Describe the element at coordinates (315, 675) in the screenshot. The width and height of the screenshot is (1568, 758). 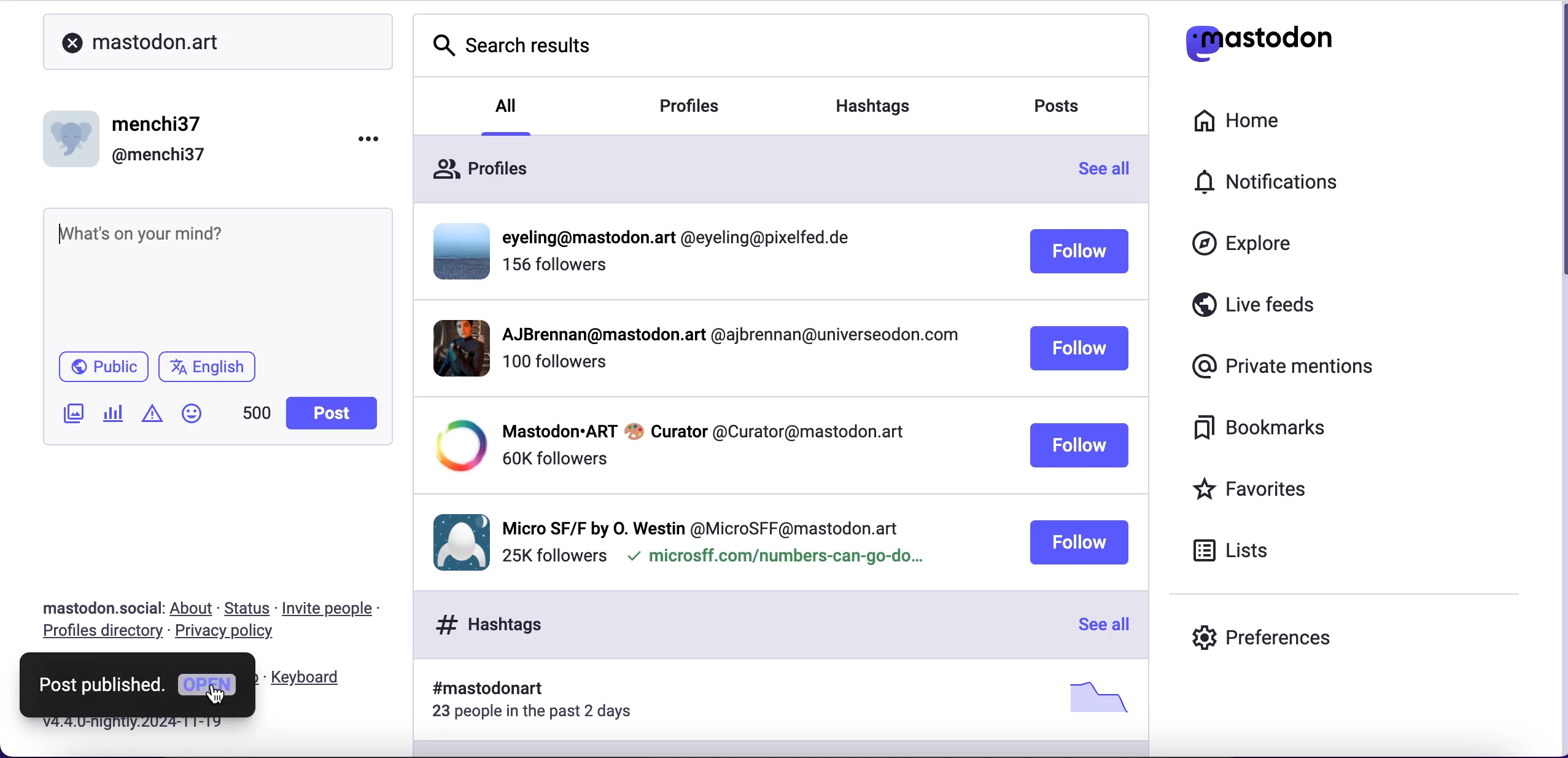
I see `keyboard` at that location.